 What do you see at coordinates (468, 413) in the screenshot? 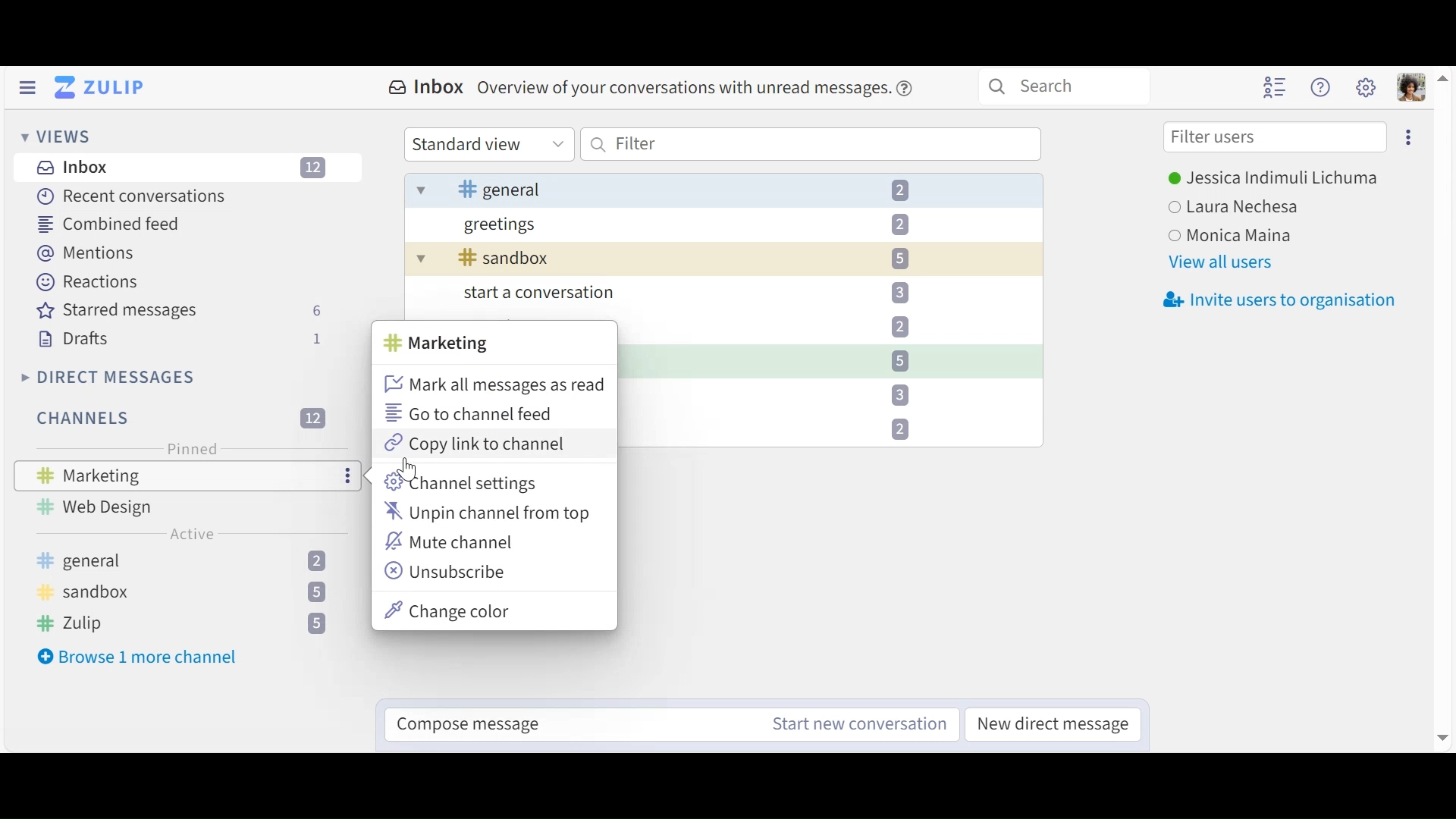
I see `Go to channel feed` at bounding box center [468, 413].